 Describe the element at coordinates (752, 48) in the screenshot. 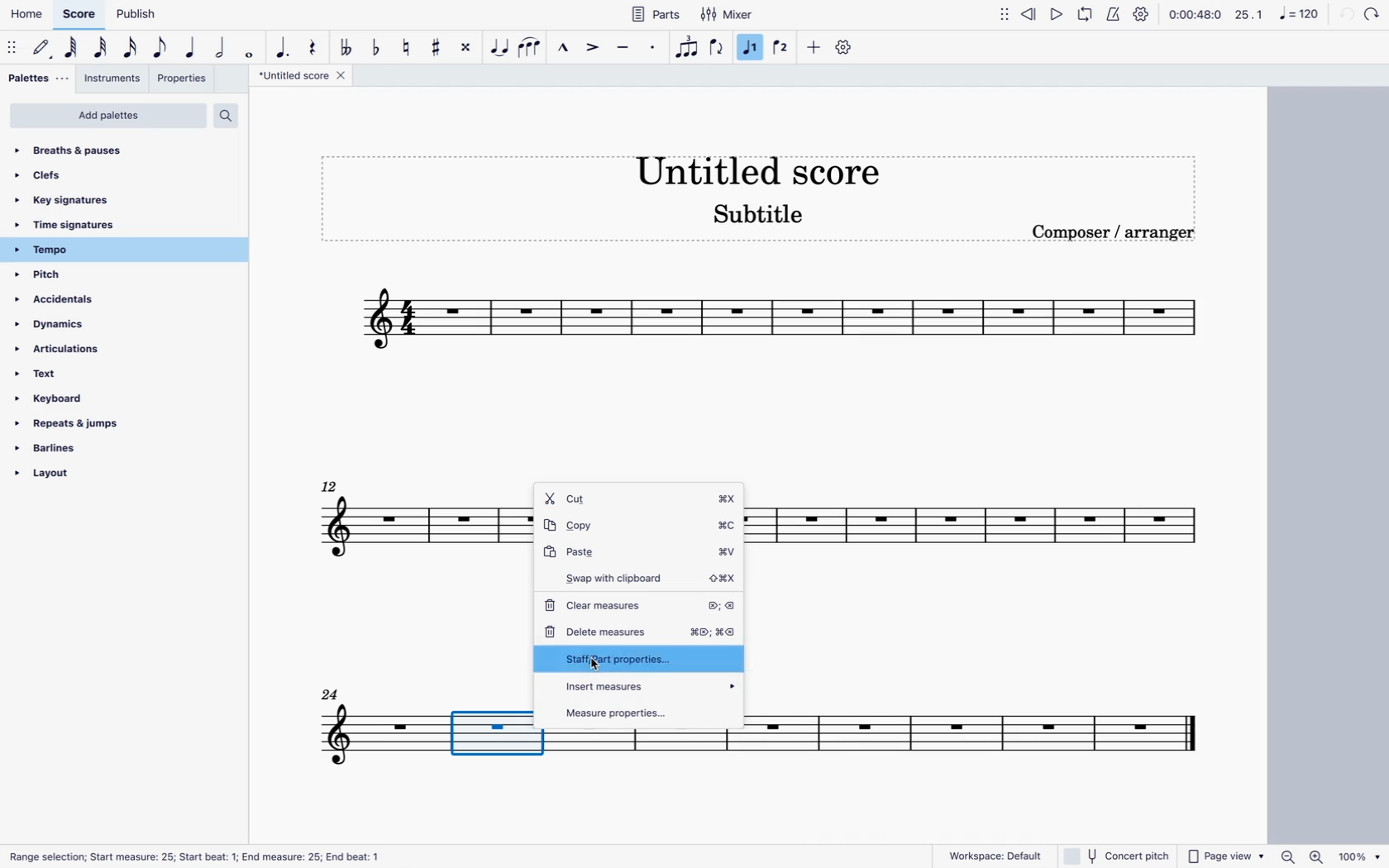

I see `selected voice 1` at that location.